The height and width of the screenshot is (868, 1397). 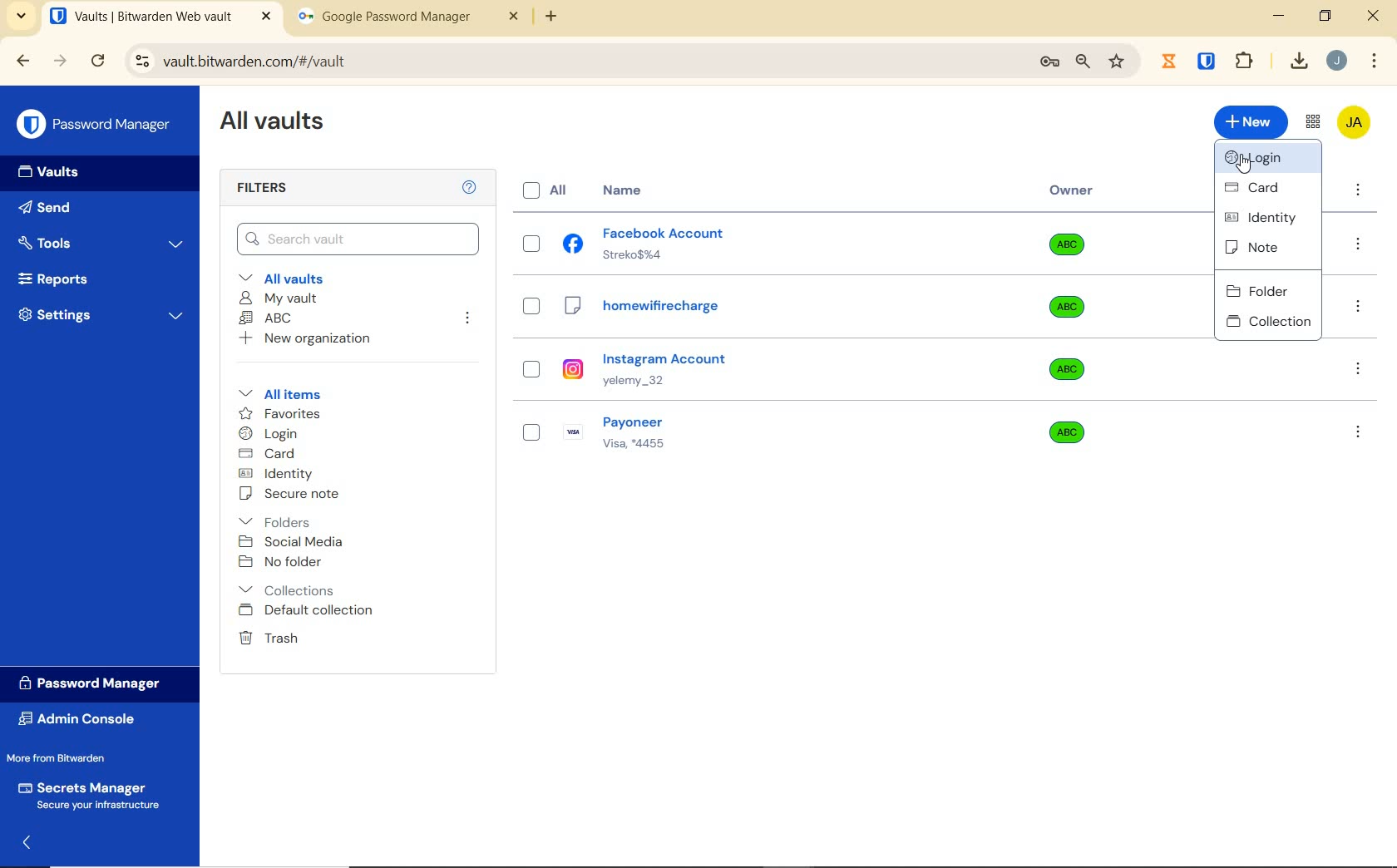 What do you see at coordinates (1070, 315) in the screenshot?
I see `Owner organization` at bounding box center [1070, 315].